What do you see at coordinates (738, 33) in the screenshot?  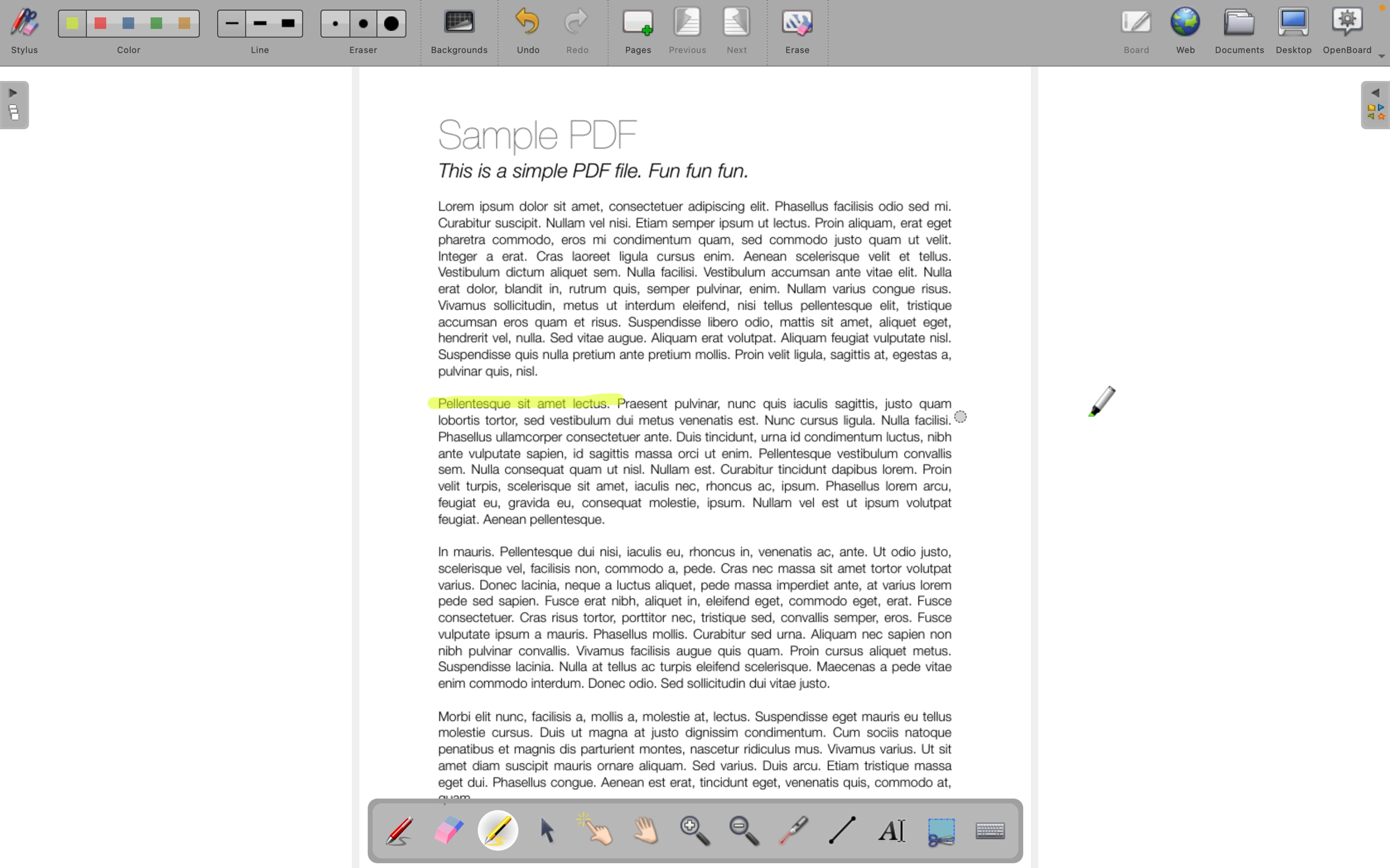 I see `next` at bounding box center [738, 33].